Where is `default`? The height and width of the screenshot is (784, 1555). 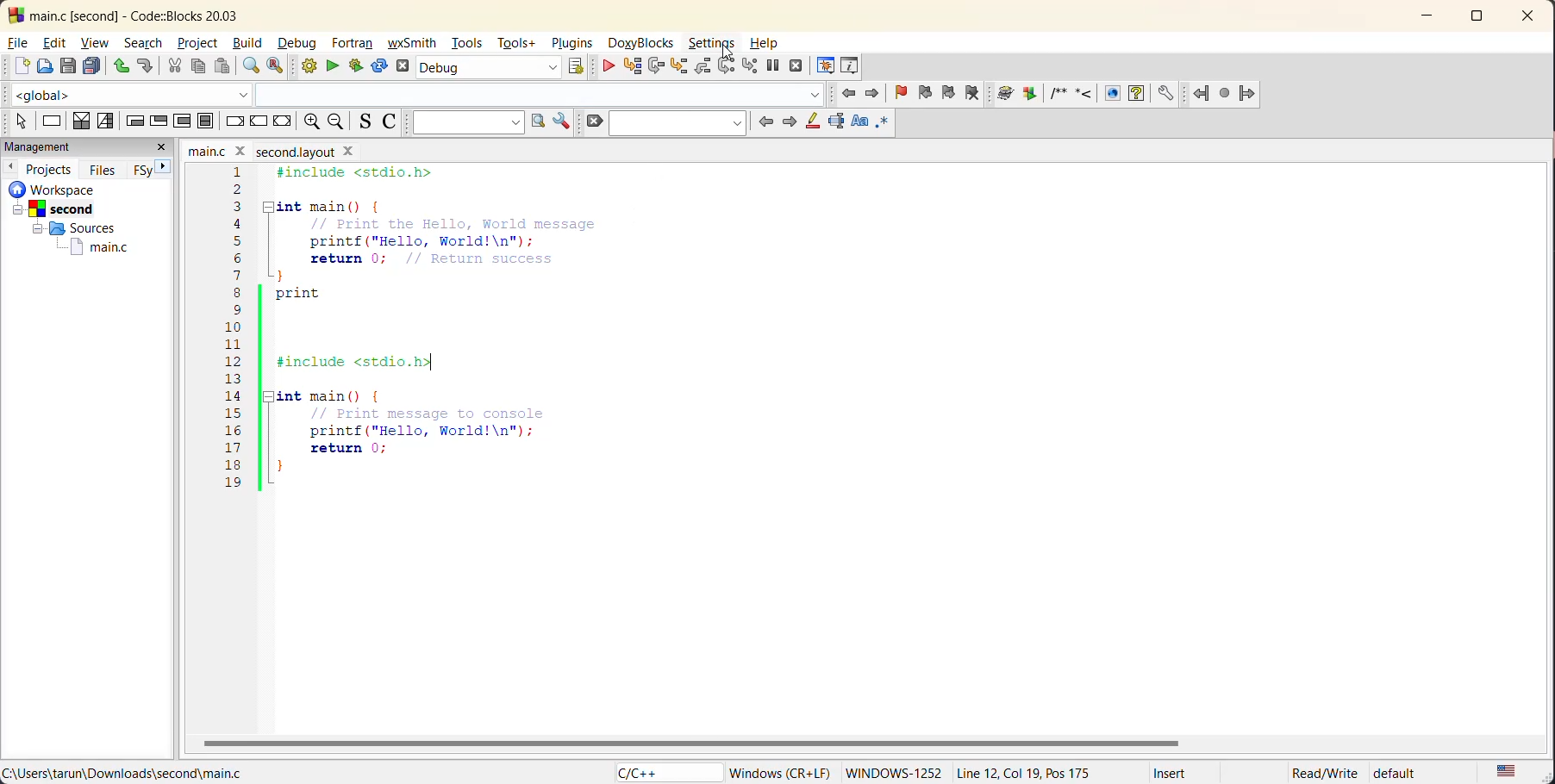 default is located at coordinates (1405, 773).